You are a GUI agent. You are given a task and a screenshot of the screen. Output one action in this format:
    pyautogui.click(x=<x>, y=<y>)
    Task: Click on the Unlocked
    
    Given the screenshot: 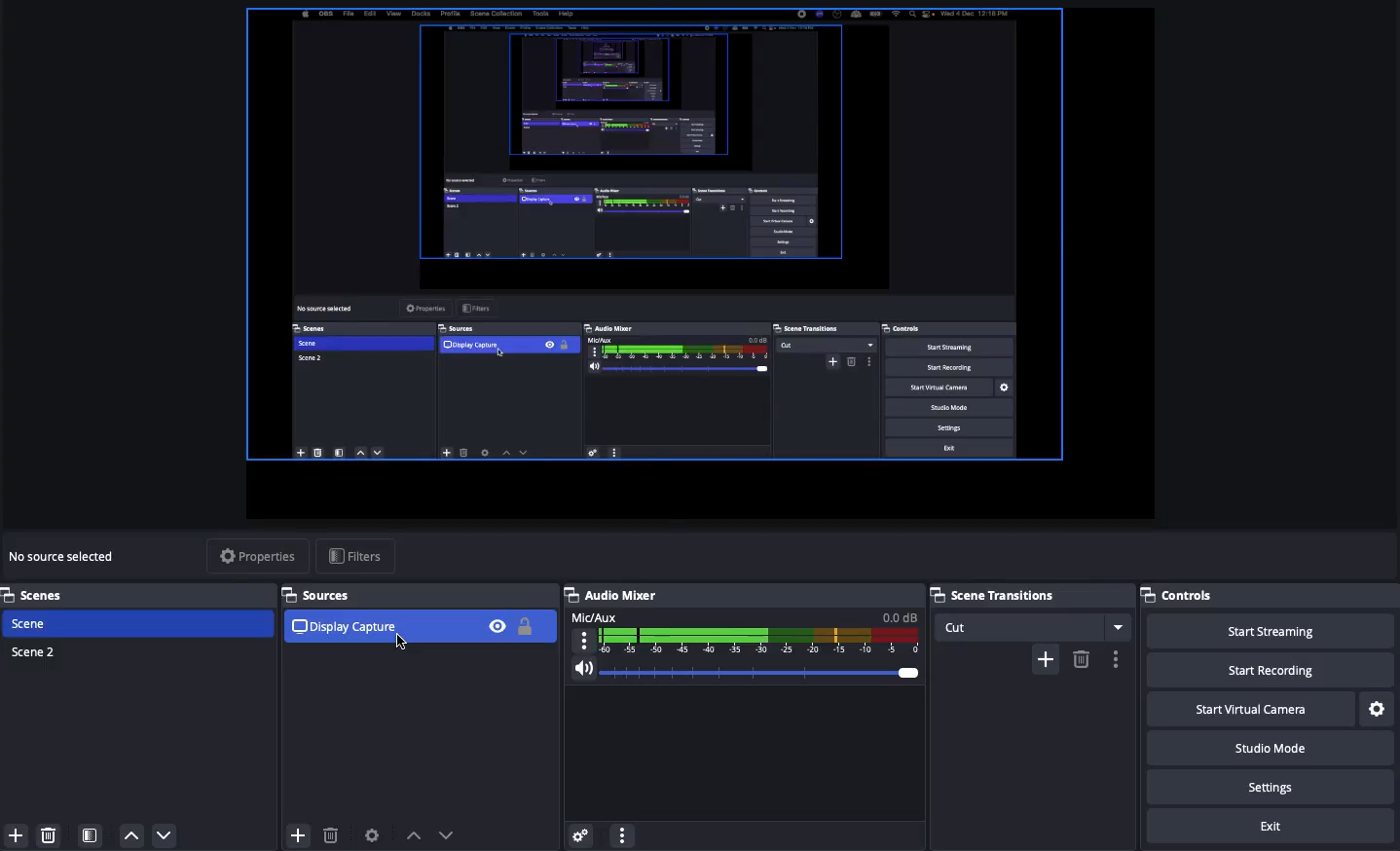 What is the action you would take?
    pyautogui.click(x=526, y=627)
    